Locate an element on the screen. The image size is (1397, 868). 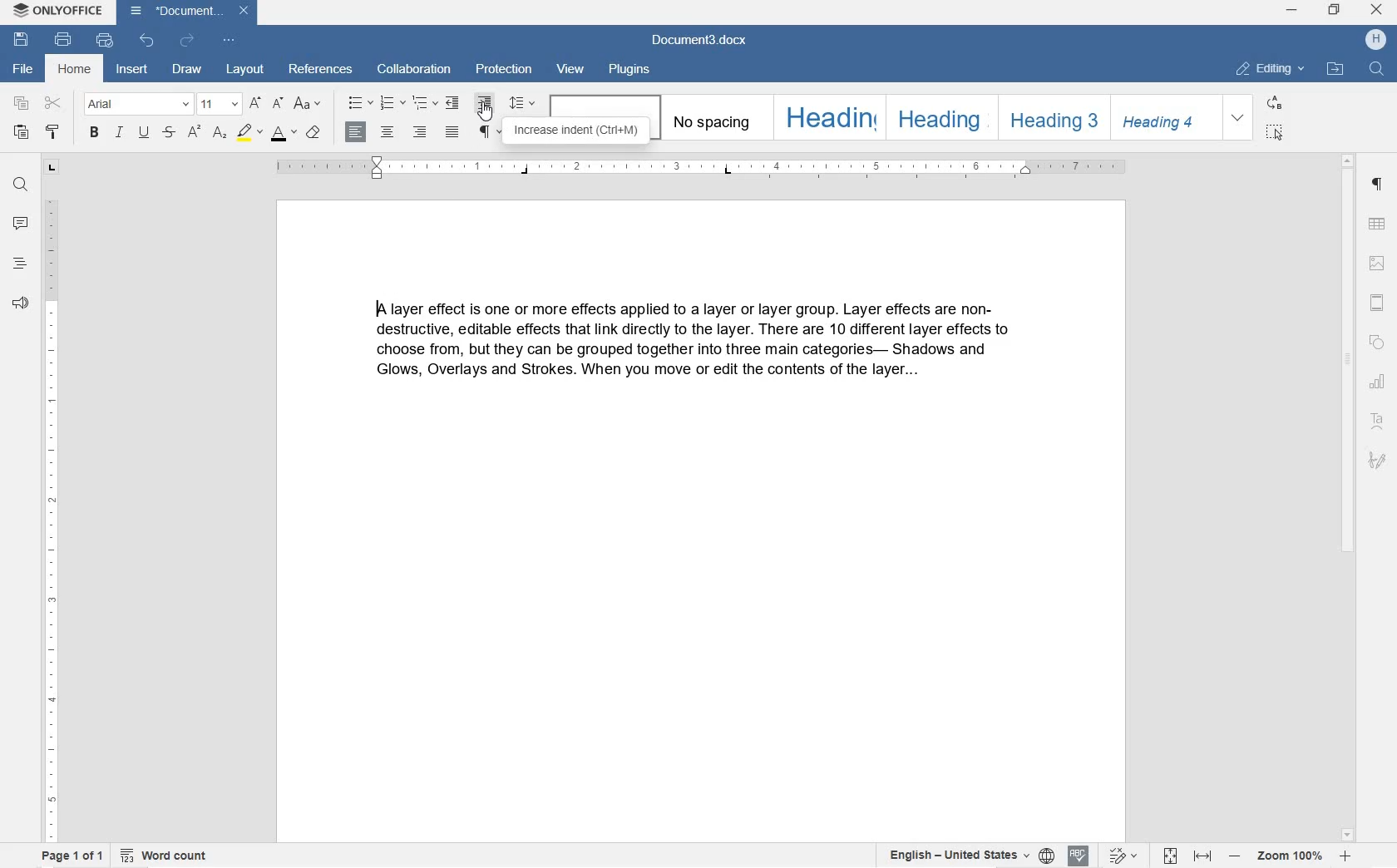
CLOSE is located at coordinates (1378, 12).